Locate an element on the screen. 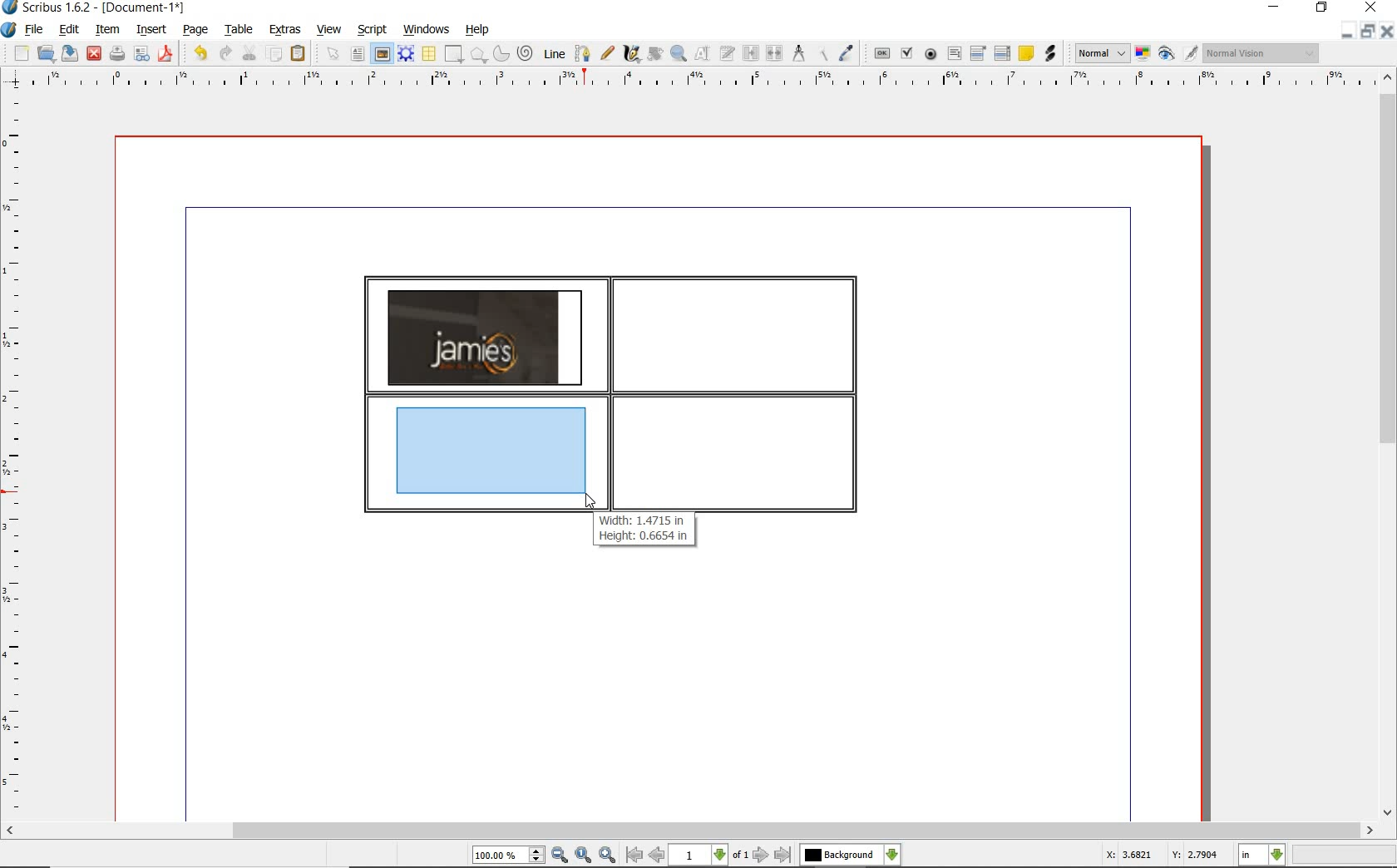 The height and width of the screenshot is (868, 1397). select is located at coordinates (336, 57).